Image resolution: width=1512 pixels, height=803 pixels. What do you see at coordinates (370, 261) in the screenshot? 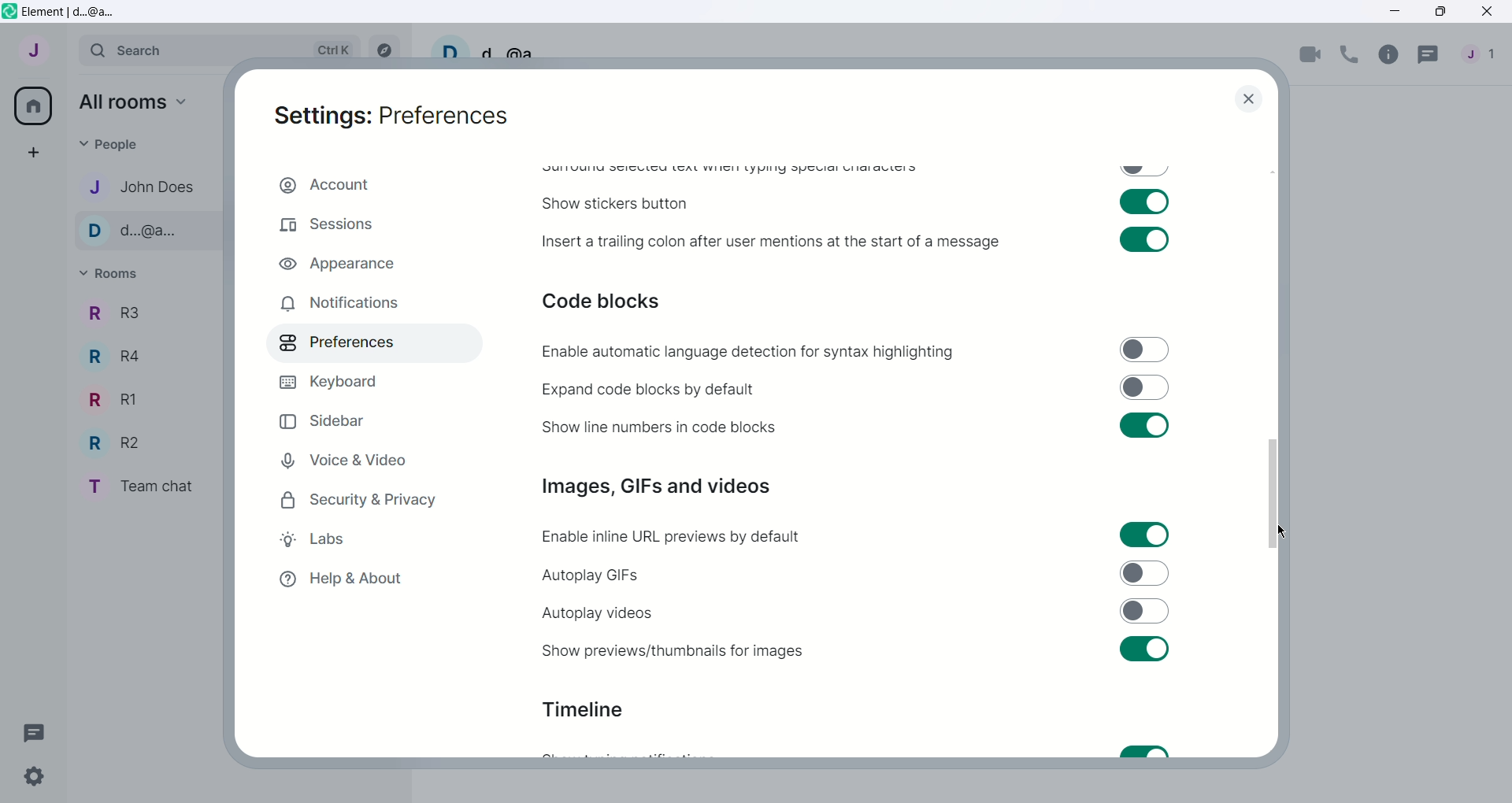
I see `Appearance` at bounding box center [370, 261].